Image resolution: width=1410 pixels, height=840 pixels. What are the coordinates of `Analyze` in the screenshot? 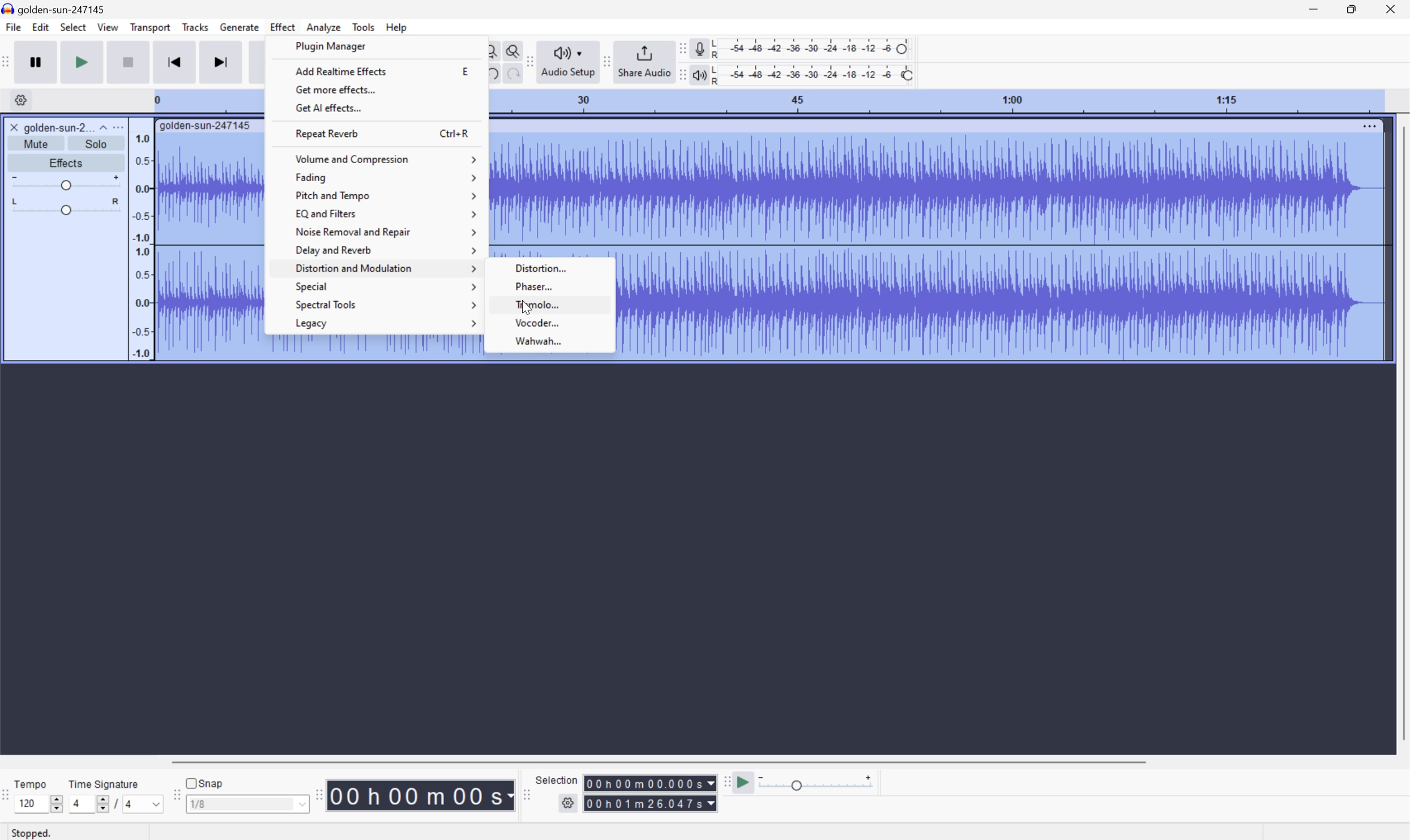 It's located at (323, 27).